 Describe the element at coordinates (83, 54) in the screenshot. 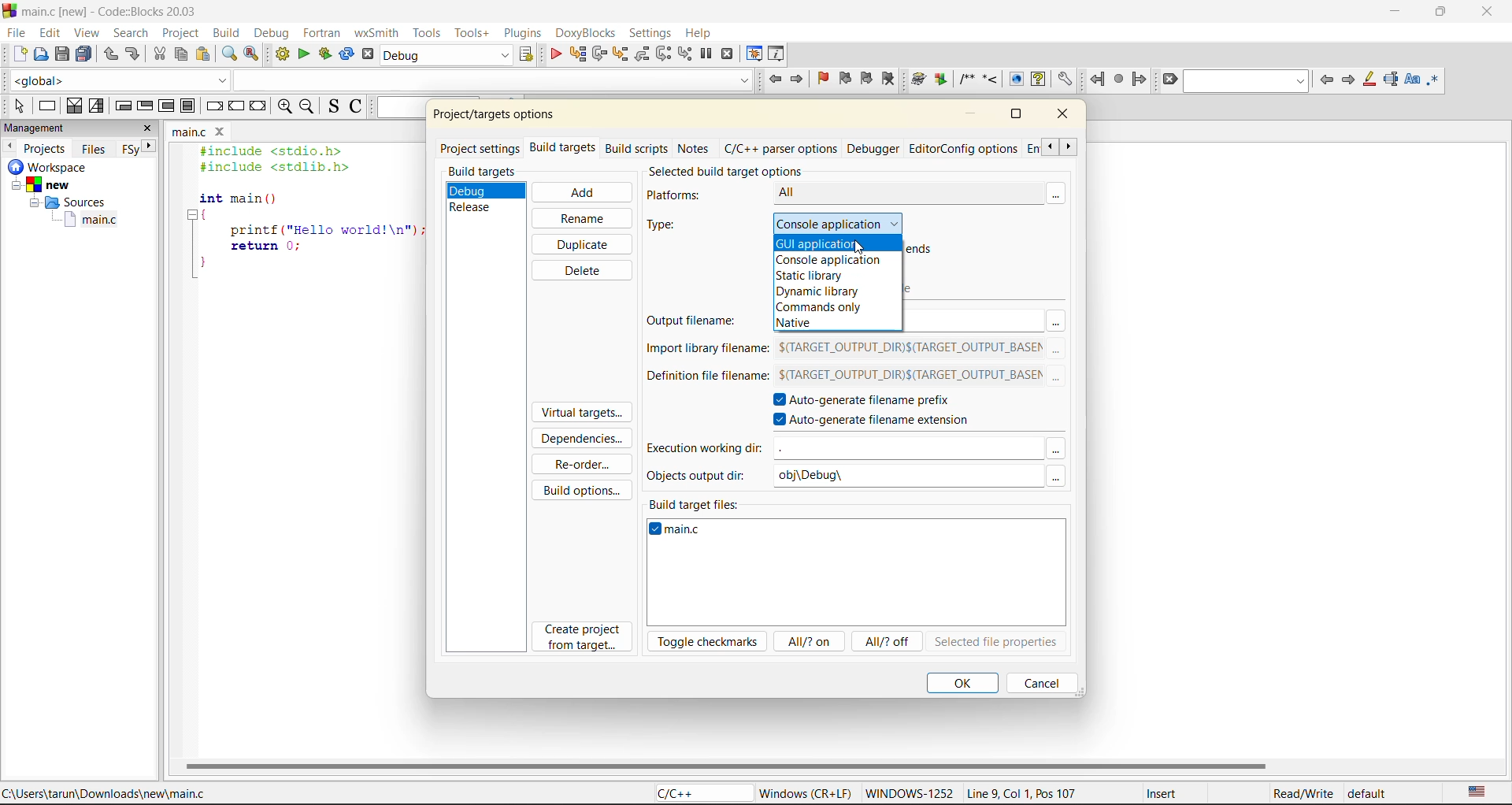

I see `save everytime` at that location.